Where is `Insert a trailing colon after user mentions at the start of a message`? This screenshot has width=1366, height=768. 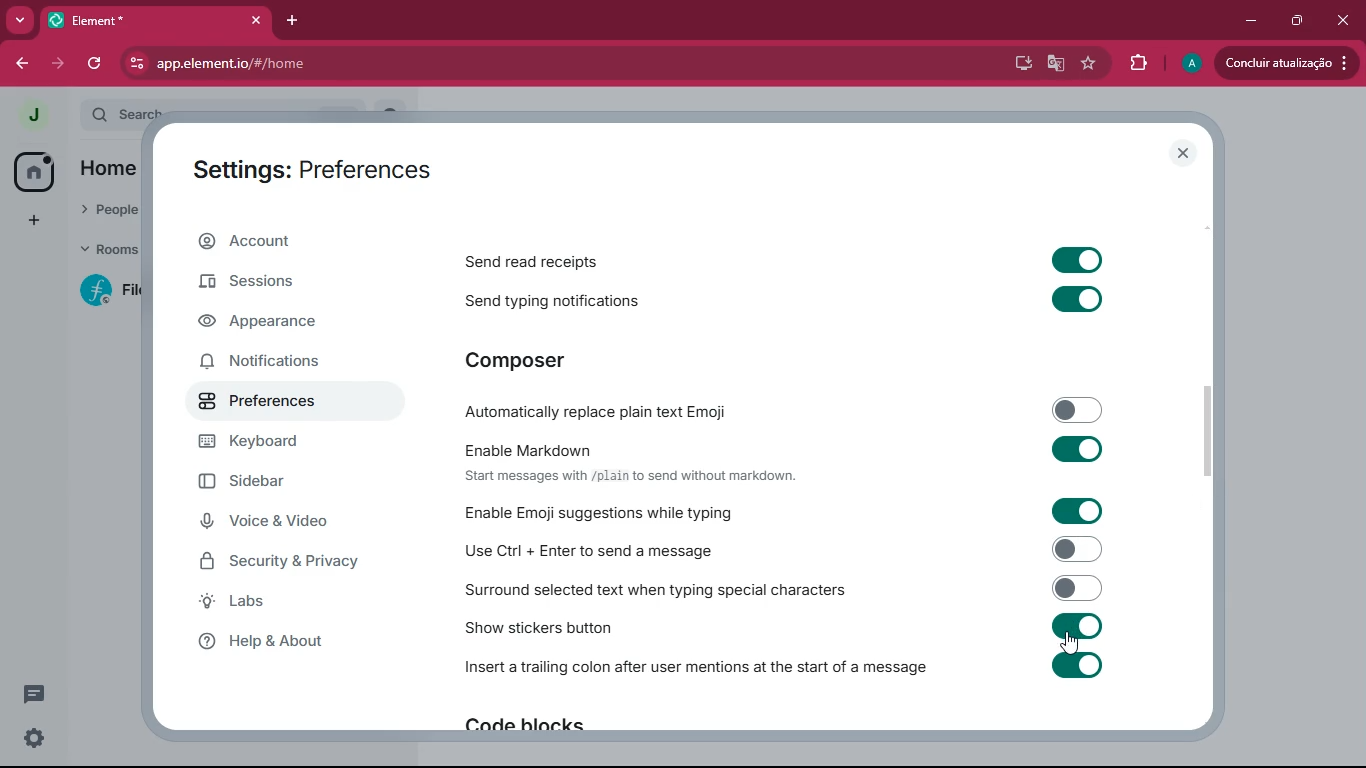
Insert a trailing colon after user mentions at the start of a message is located at coordinates (782, 674).